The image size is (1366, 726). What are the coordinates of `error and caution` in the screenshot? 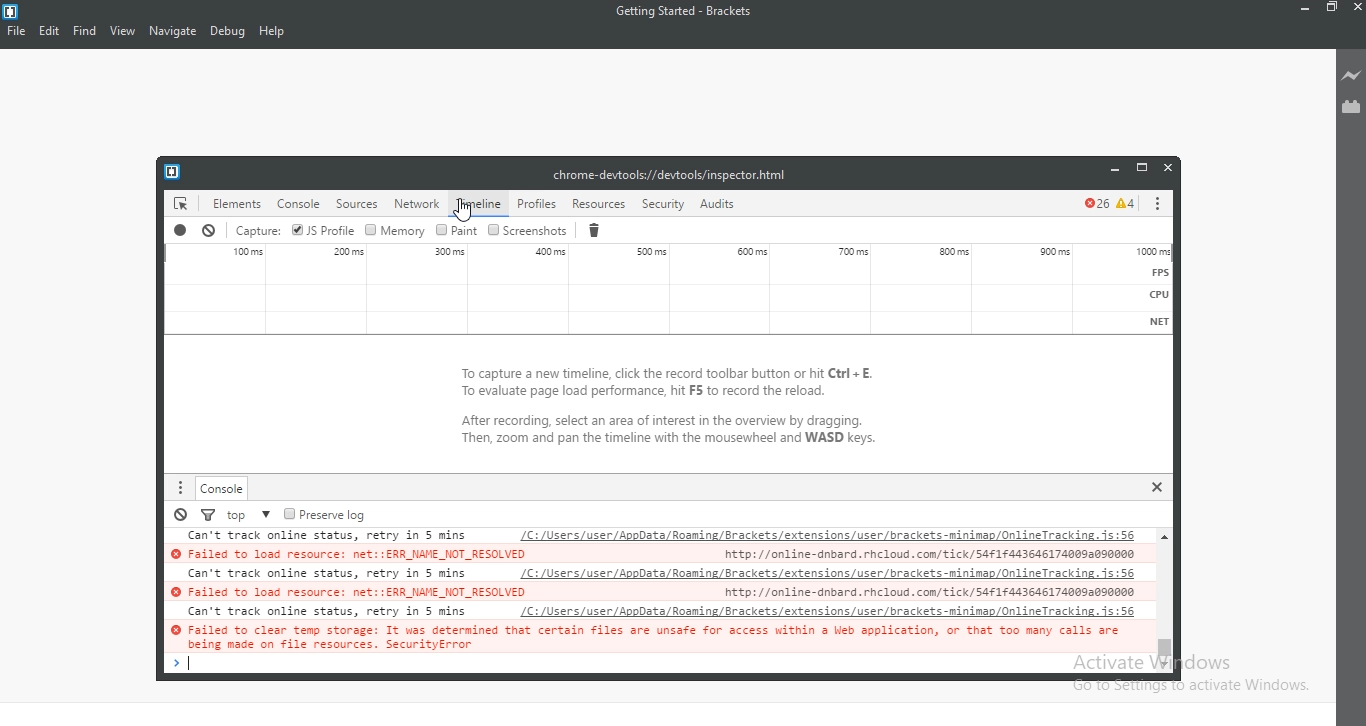 It's located at (1102, 203).